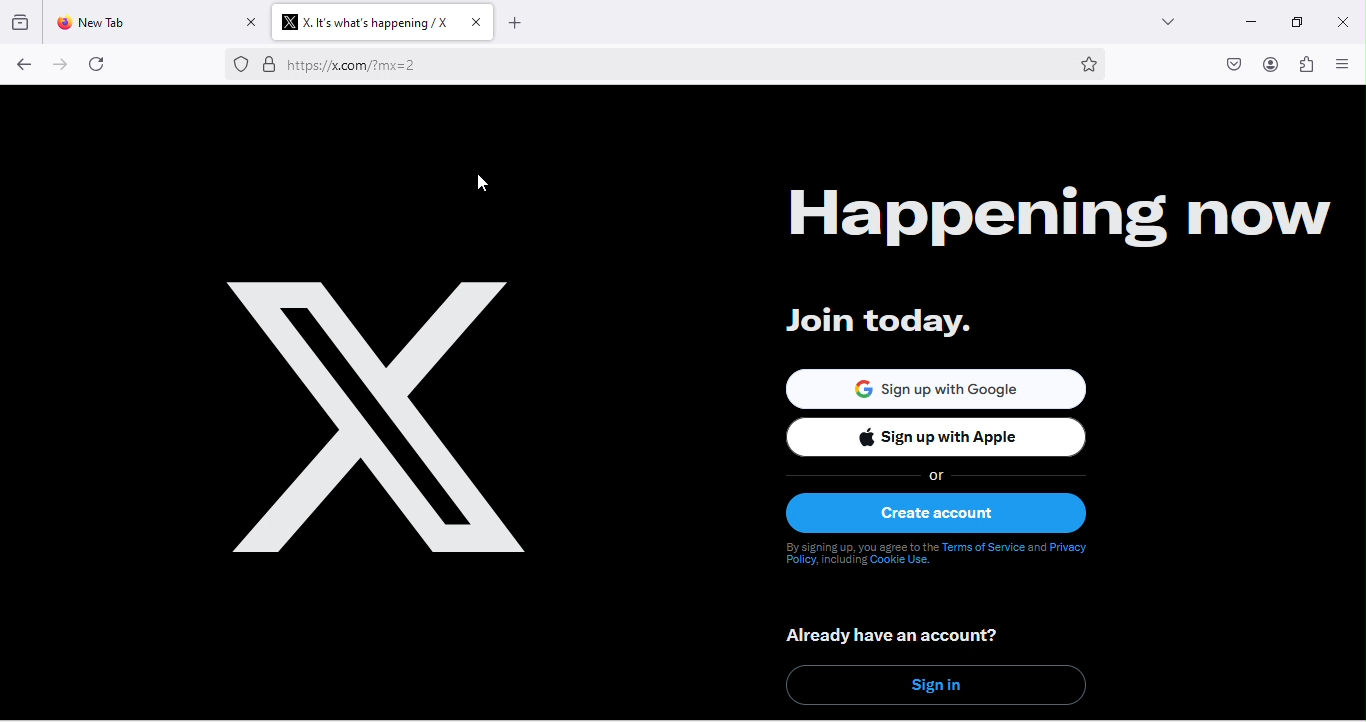 The image size is (1366, 722). What do you see at coordinates (940, 475) in the screenshot?
I see `or` at bounding box center [940, 475].